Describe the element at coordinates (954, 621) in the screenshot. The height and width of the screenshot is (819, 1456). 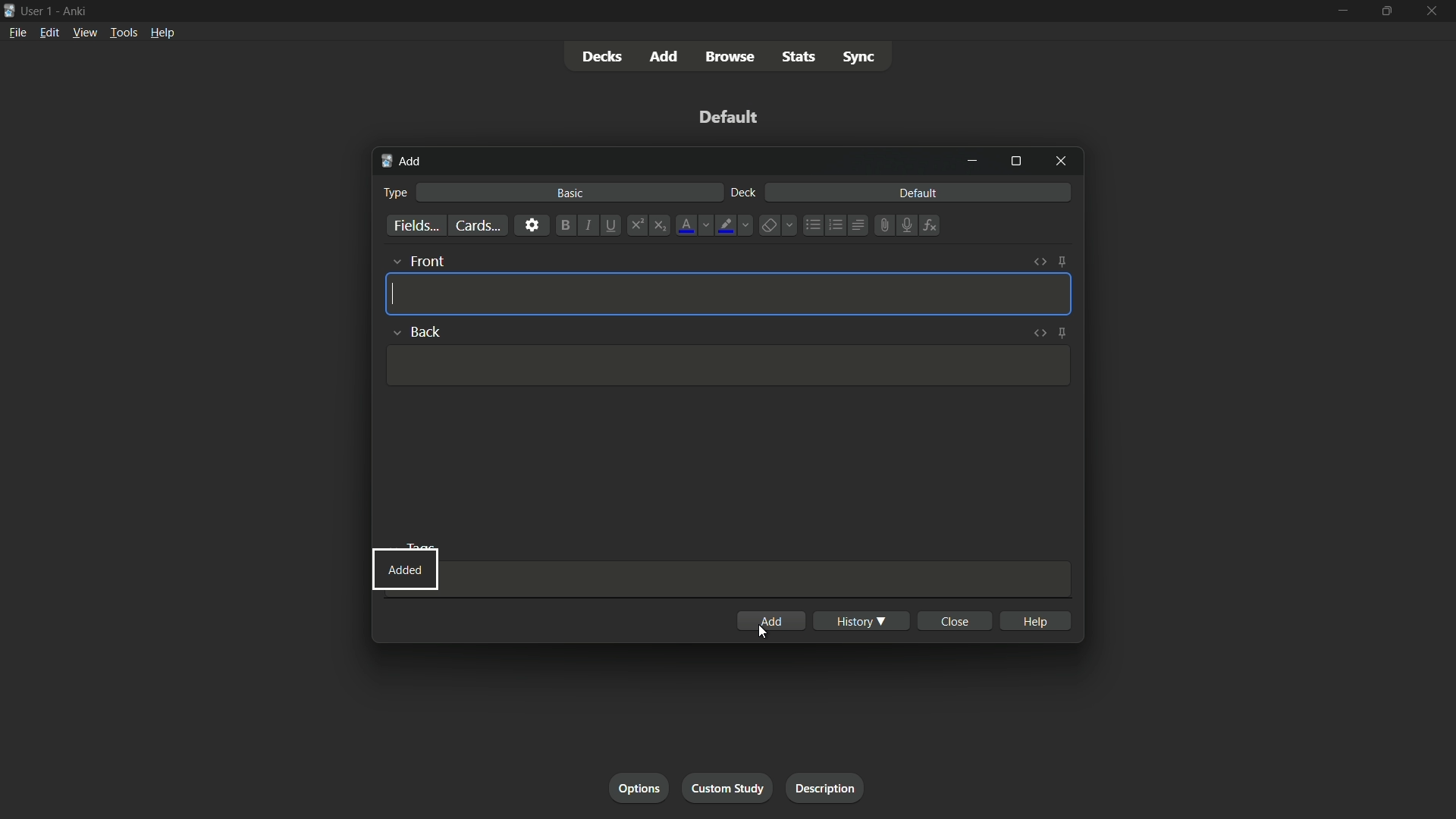
I see `close` at that location.